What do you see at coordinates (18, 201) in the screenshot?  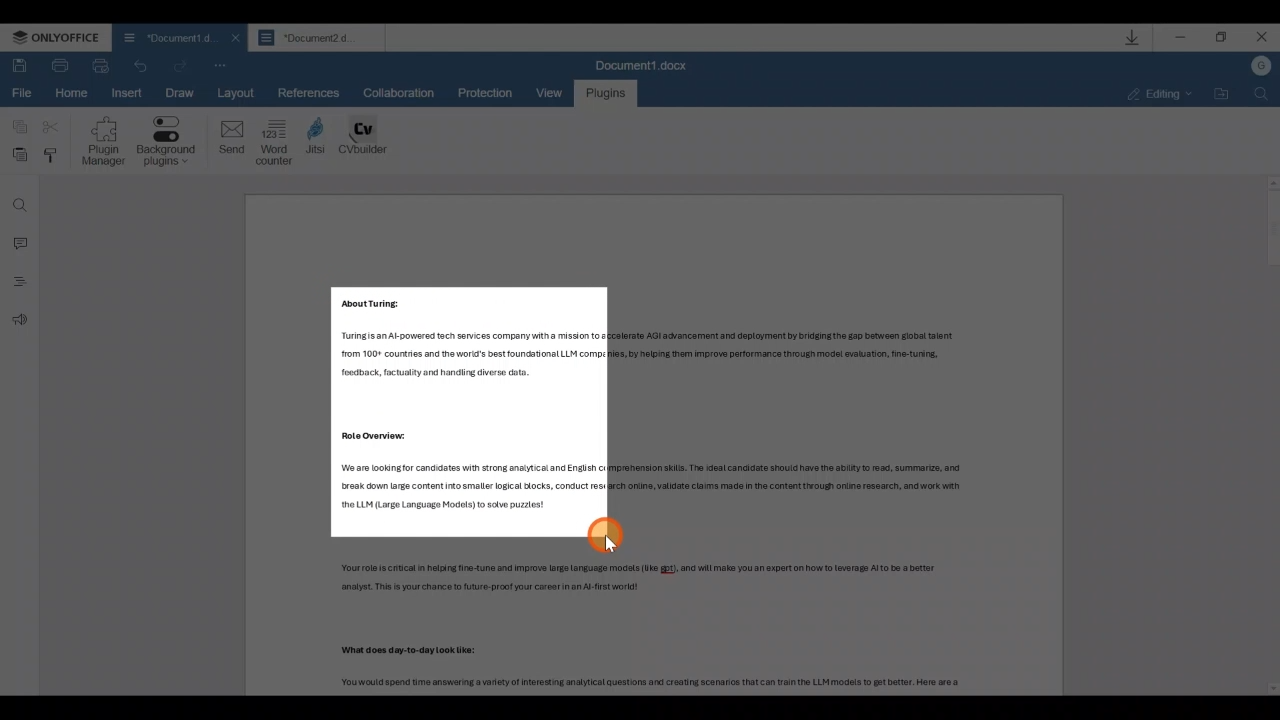 I see `Find` at bounding box center [18, 201].